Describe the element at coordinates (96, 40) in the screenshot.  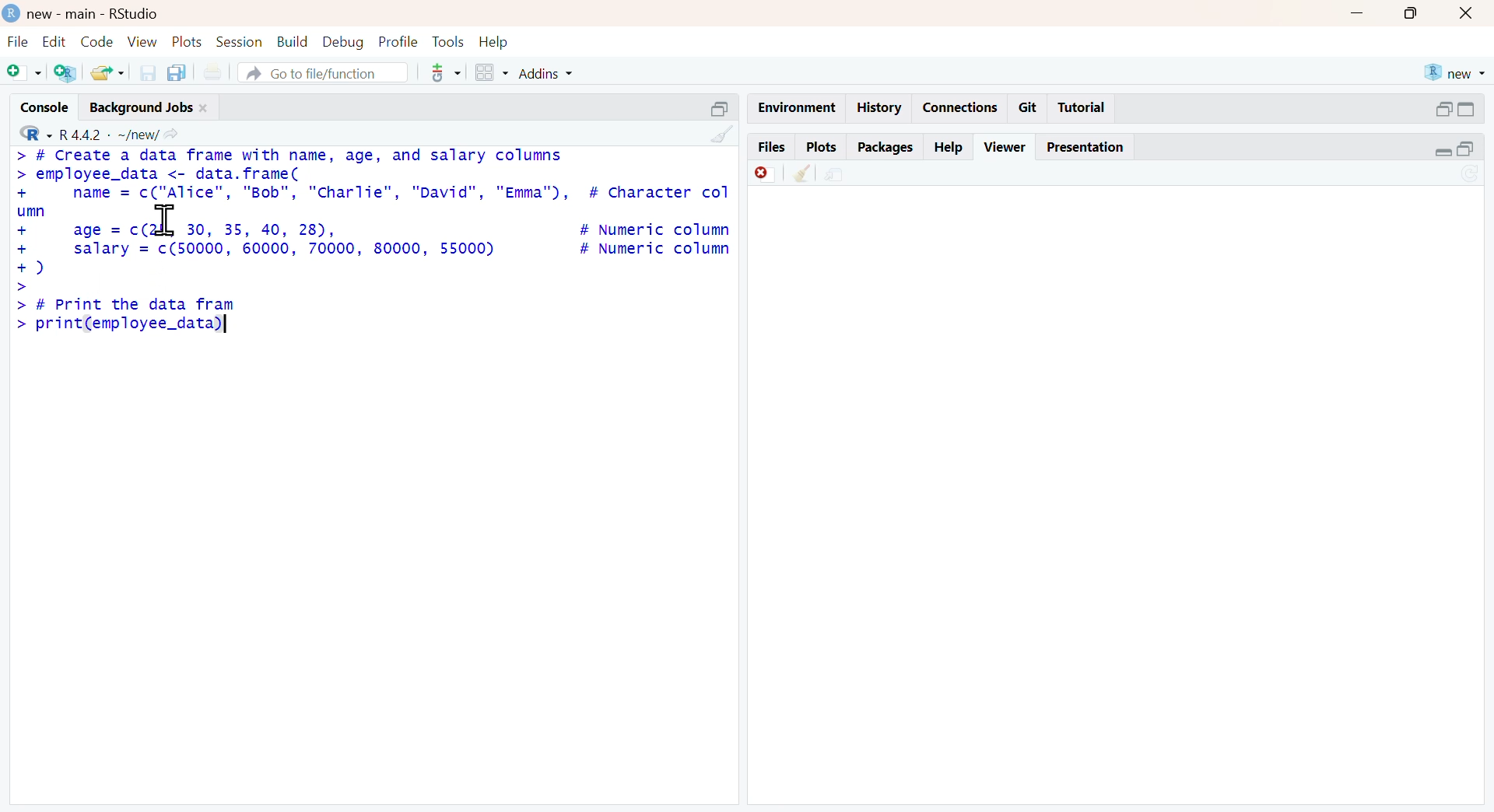
I see `Code` at that location.